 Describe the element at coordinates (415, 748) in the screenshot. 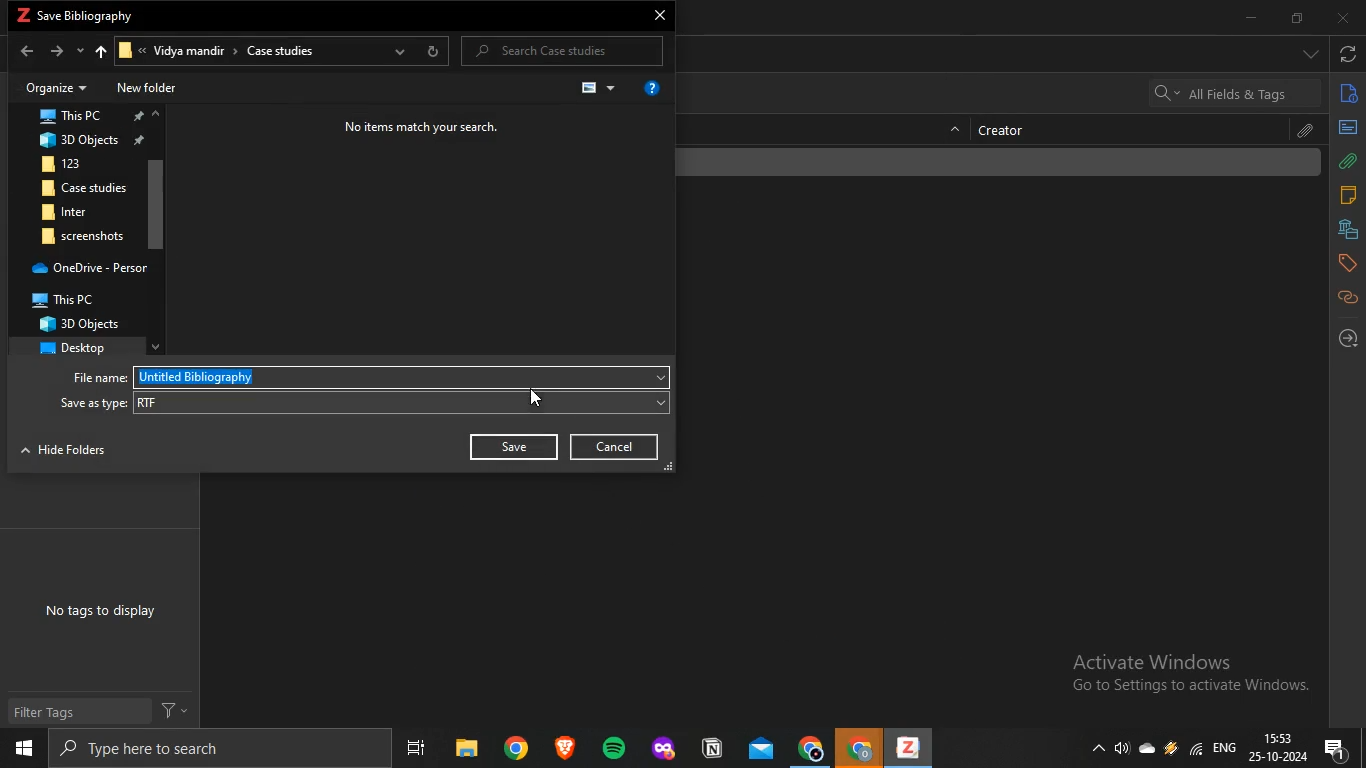

I see `task view` at that location.